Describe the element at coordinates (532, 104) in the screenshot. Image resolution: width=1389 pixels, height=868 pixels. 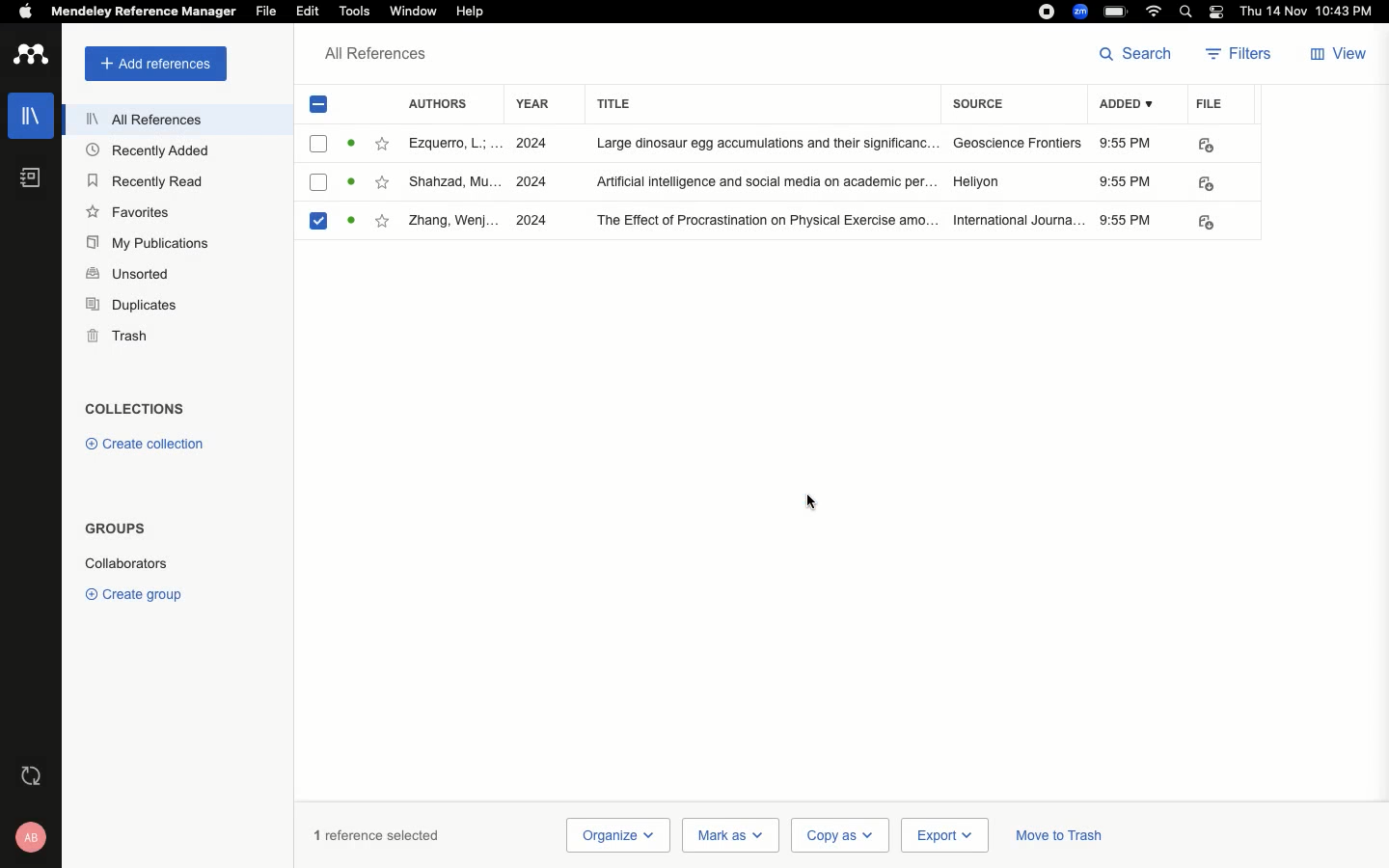
I see `Year` at that location.